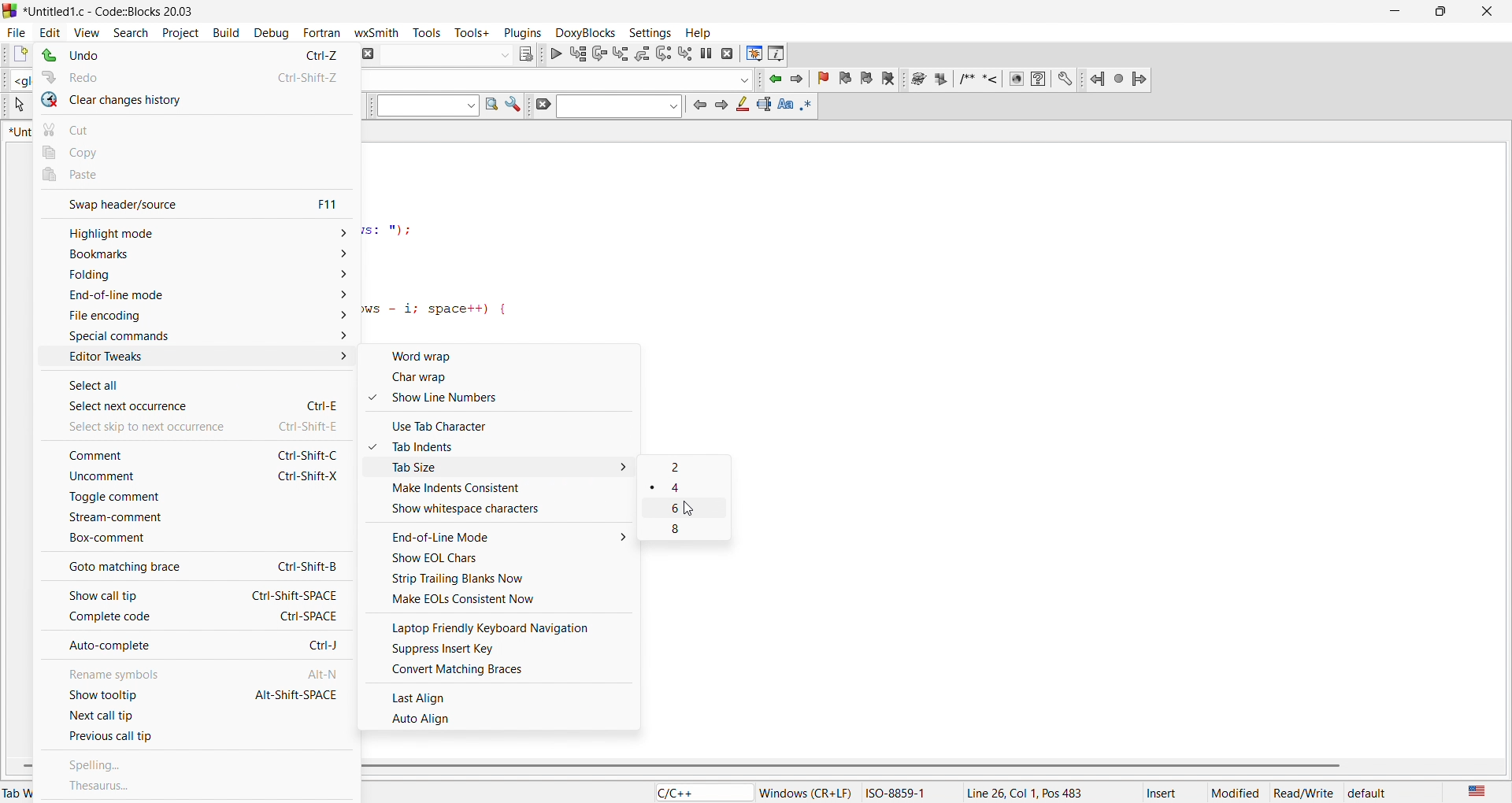  Describe the element at coordinates (721, 107) in the screenshot. I see `icon` at that location.